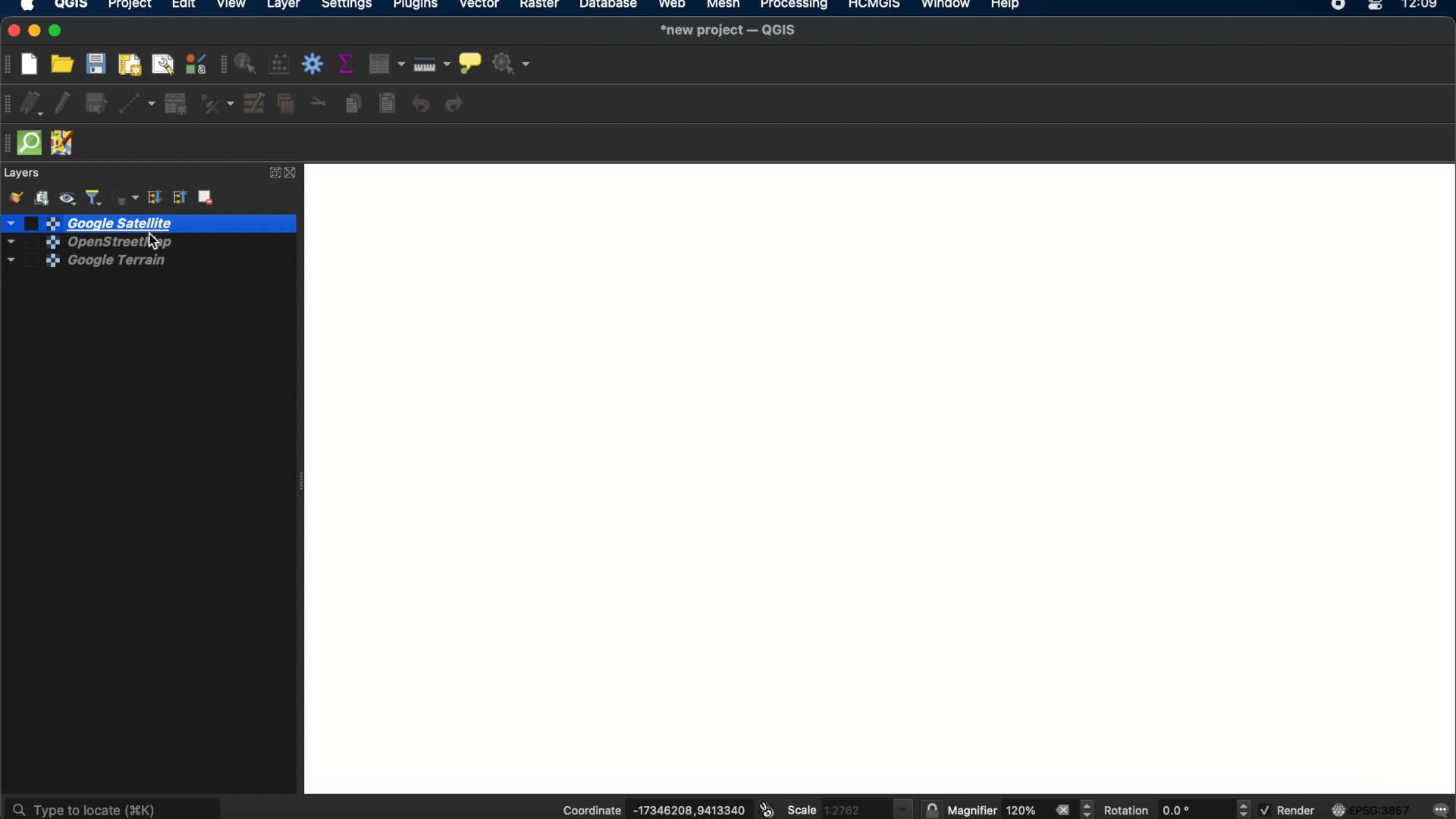 This screenshot has height=819, width=1456. I want to click on toggle extents and mouse position display, so click(765, 810).